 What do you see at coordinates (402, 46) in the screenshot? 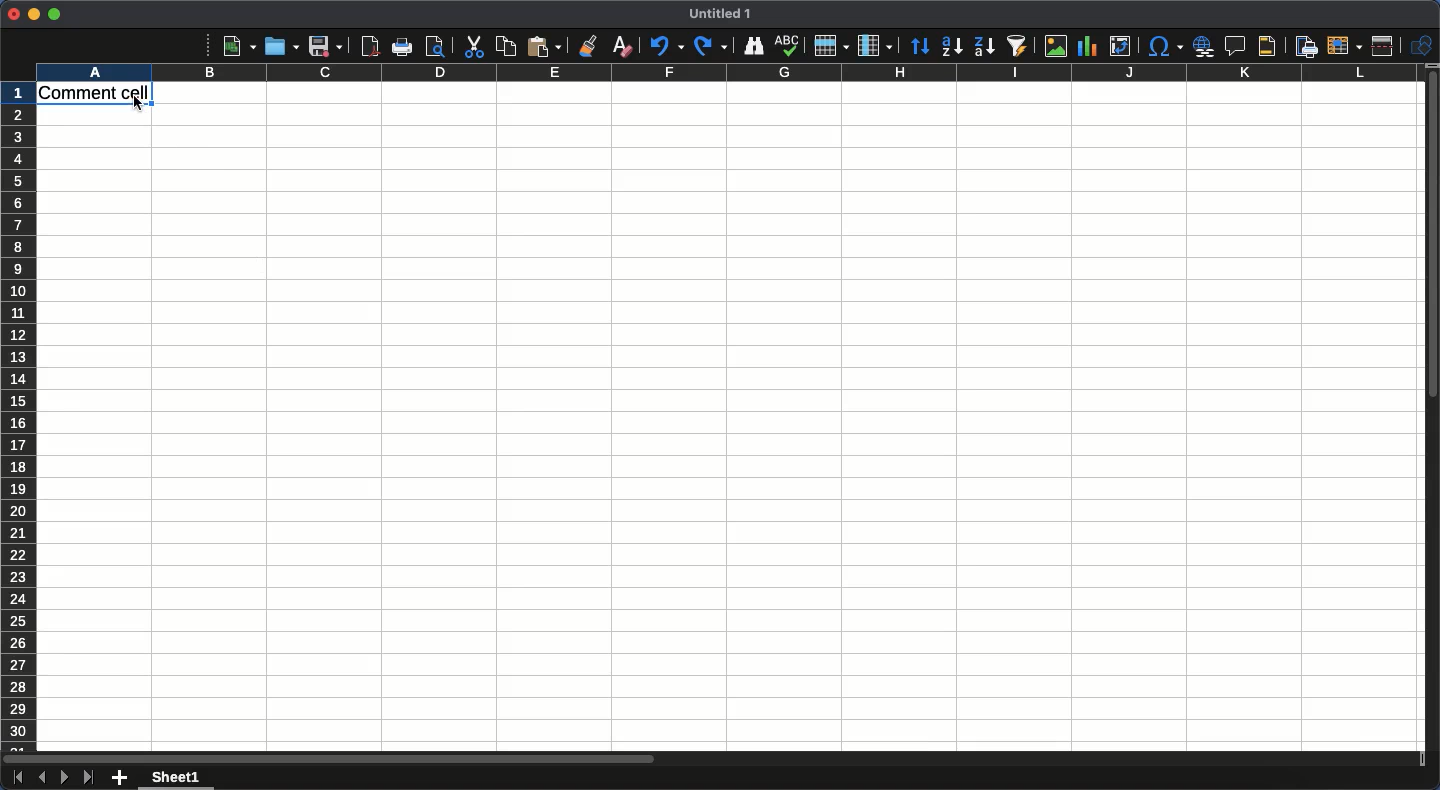
I see `Print` at bounding box center [402, 46].